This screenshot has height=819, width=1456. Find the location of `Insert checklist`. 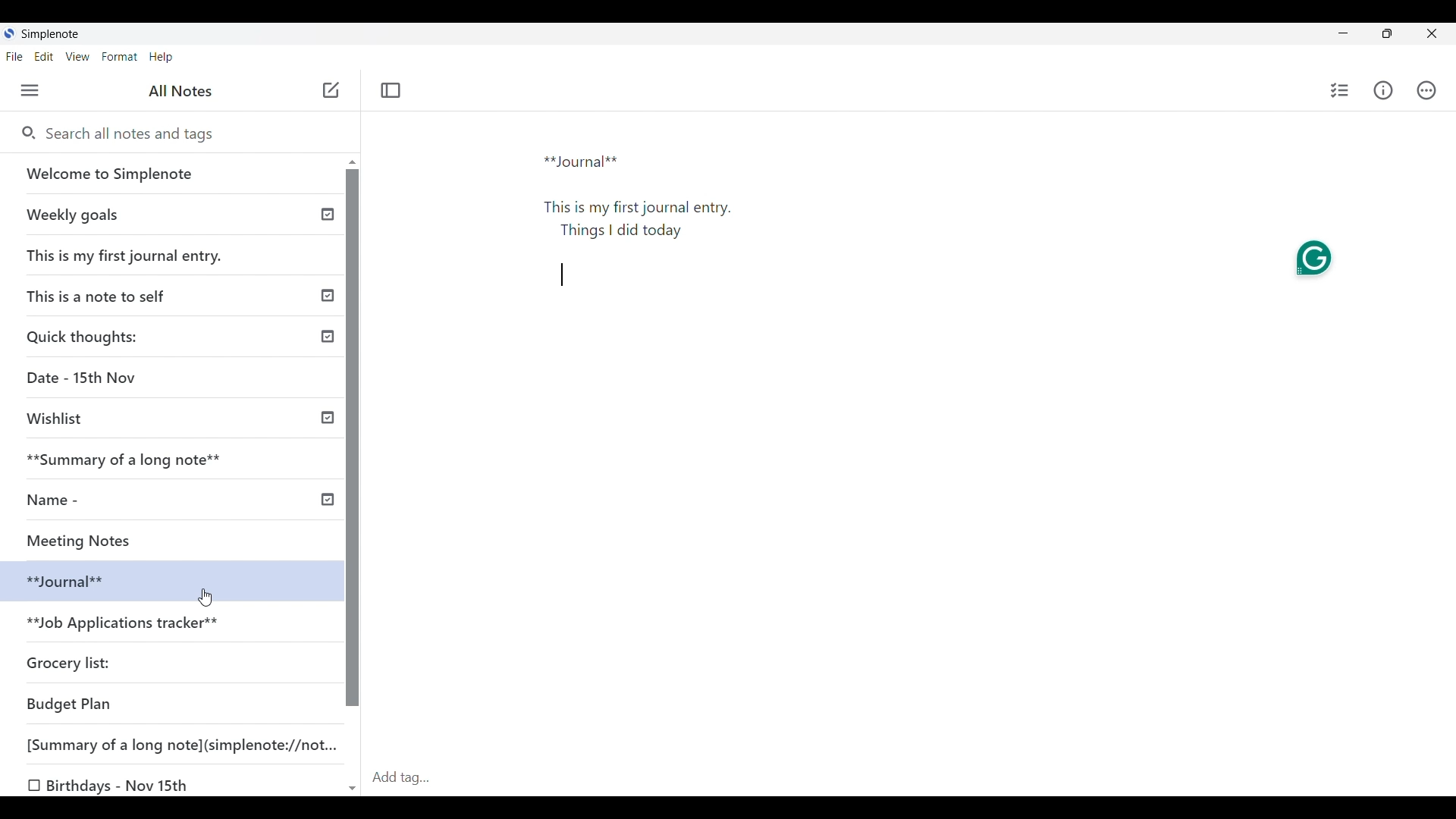

Insert checklist is located at coordinates (1341, 90).